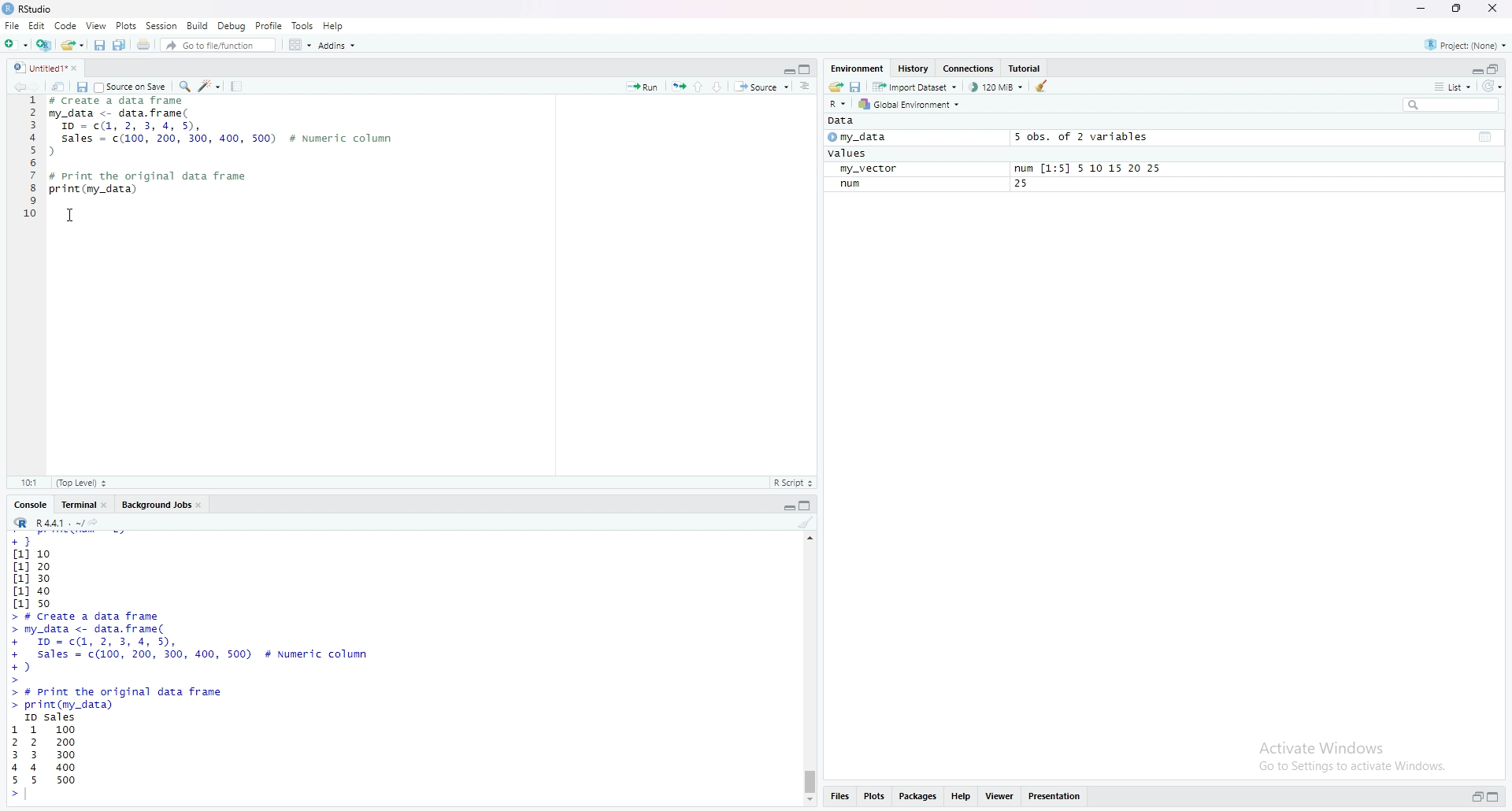  What do you see at coordinates (1000, 798) in the screenshot?
I see `viewer` at bounding box center [1000, 798].